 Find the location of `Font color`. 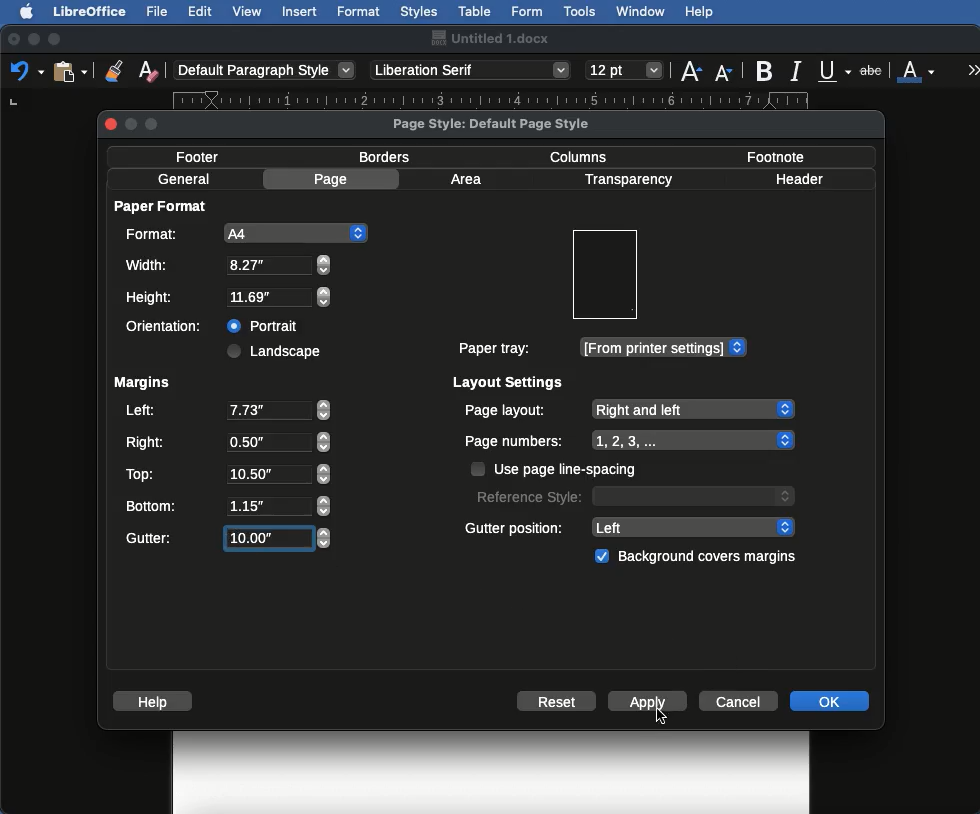

Font color is located at coordinates (917, 69).